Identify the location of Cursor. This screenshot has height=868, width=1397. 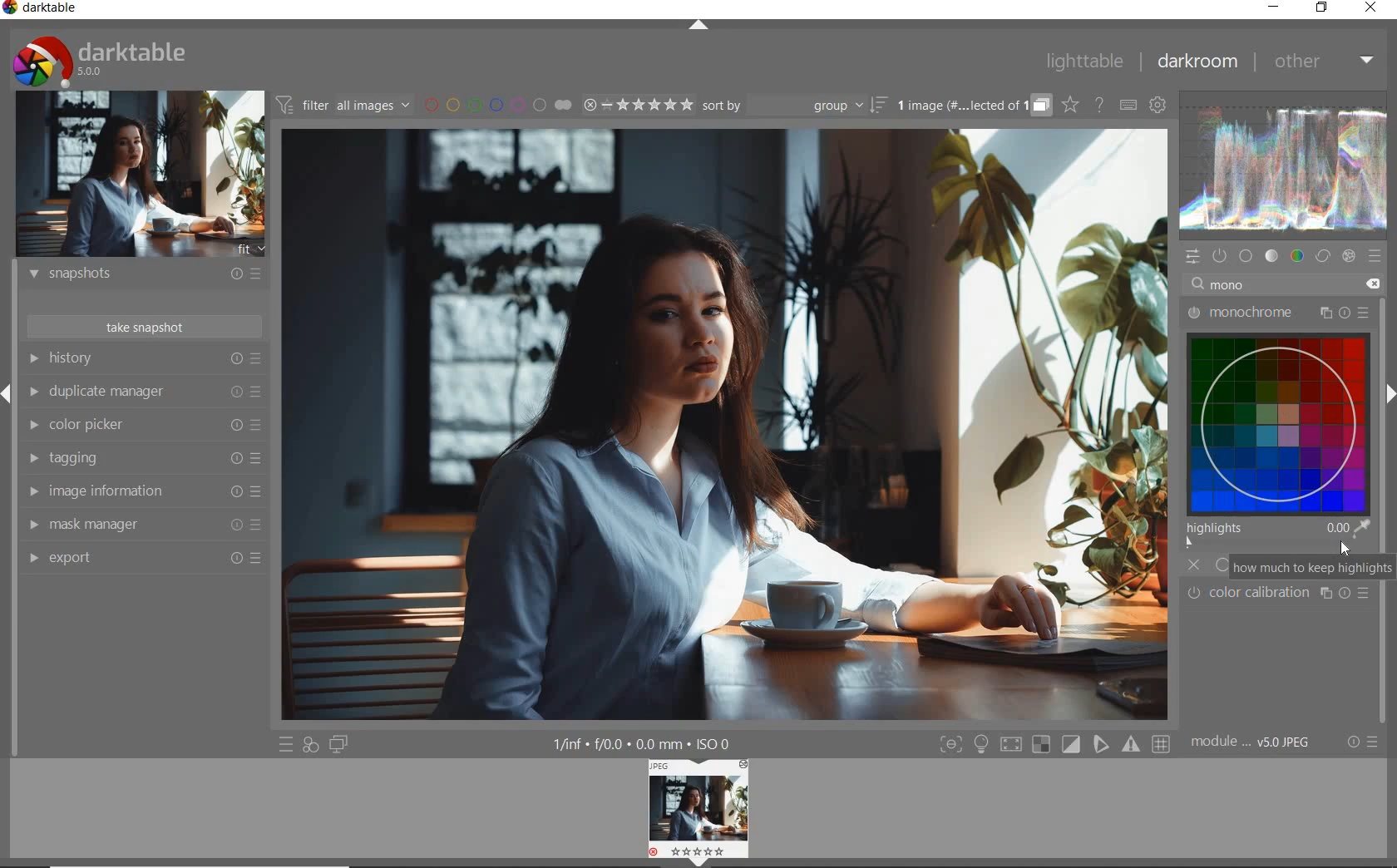
(1347, 547).